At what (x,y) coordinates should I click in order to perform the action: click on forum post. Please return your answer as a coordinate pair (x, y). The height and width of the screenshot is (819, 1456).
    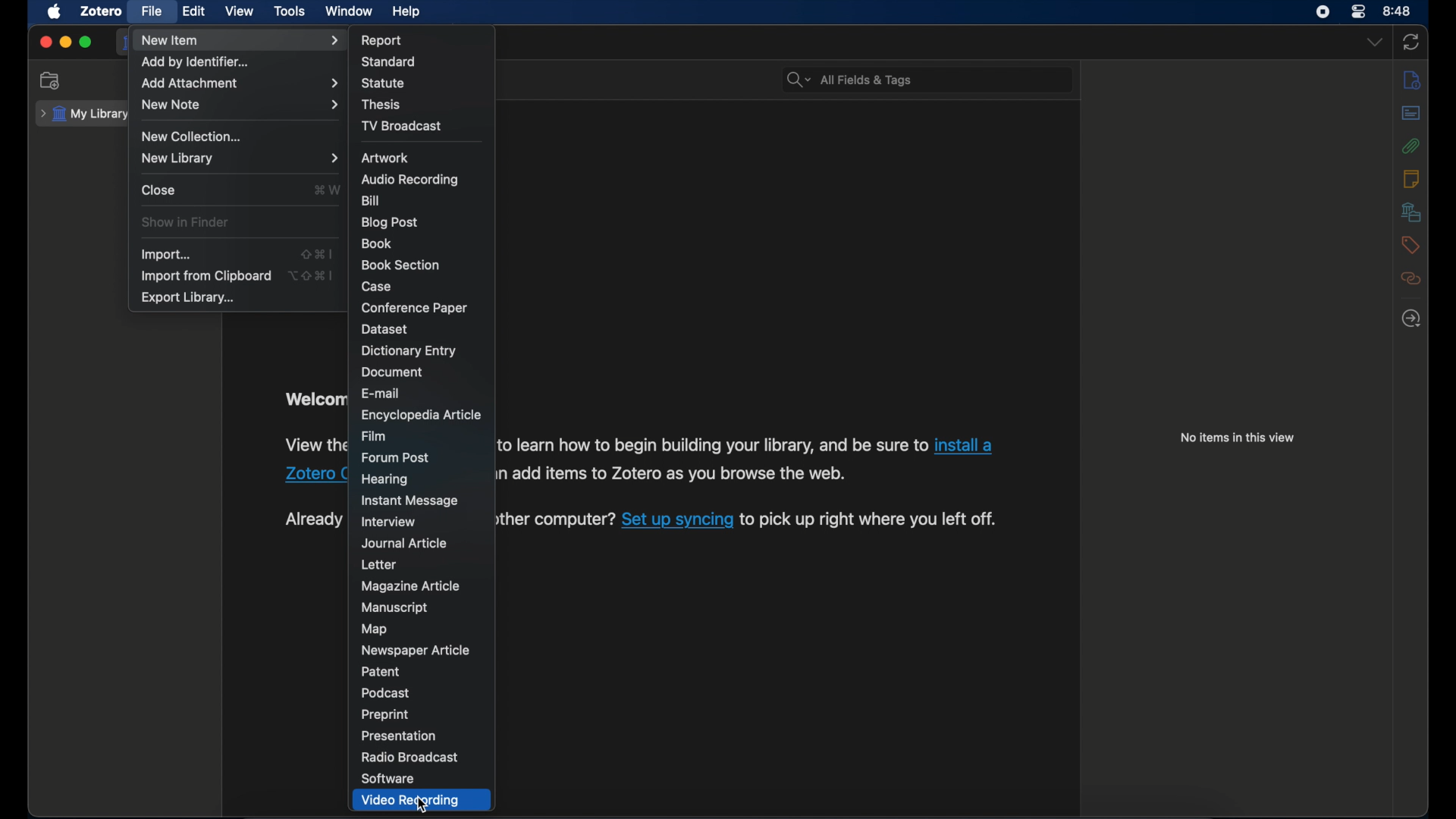
    Looking at the image, I should click on (396, 458).